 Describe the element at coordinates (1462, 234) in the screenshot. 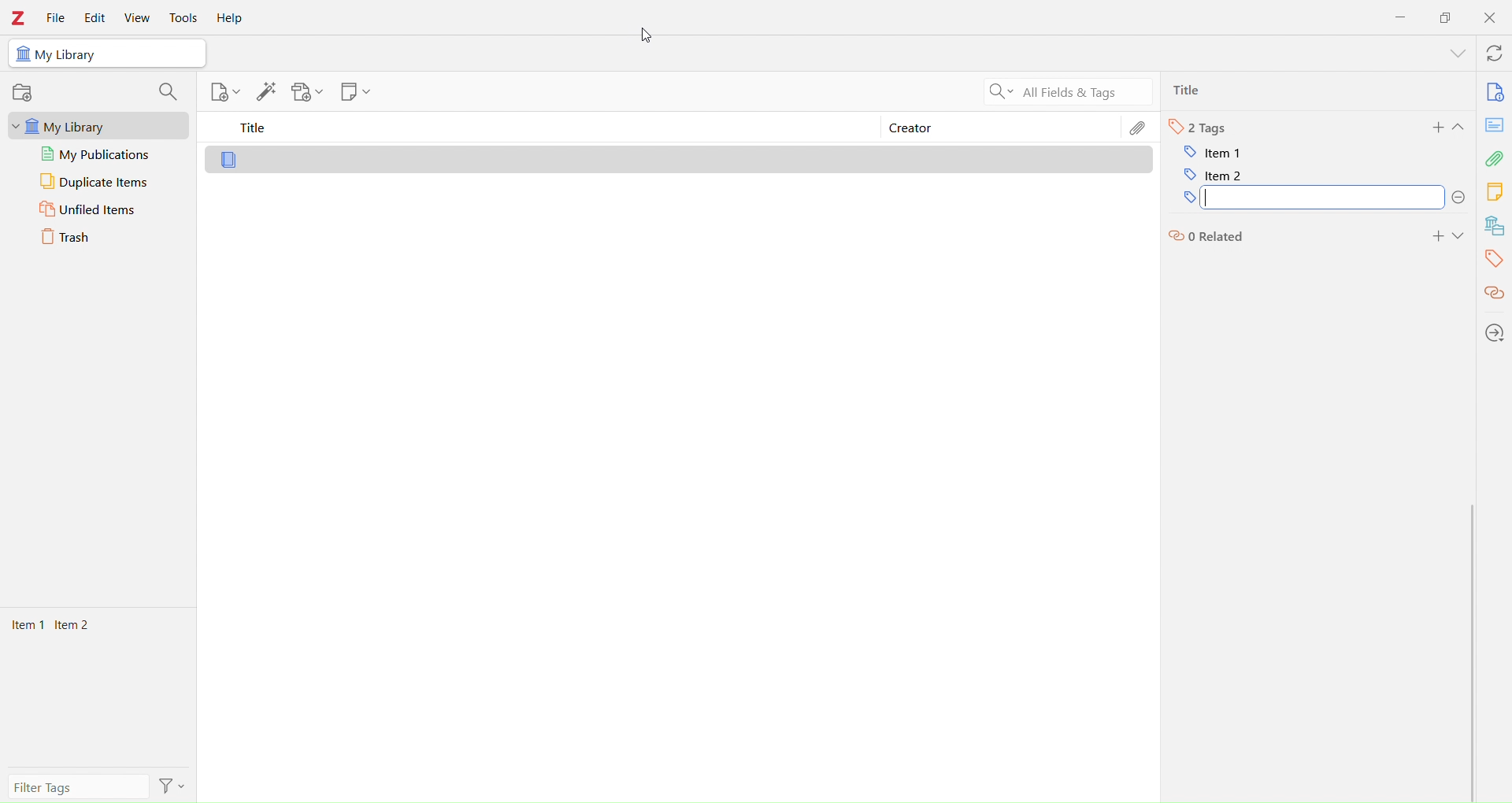

I see `Expand section` at that location.